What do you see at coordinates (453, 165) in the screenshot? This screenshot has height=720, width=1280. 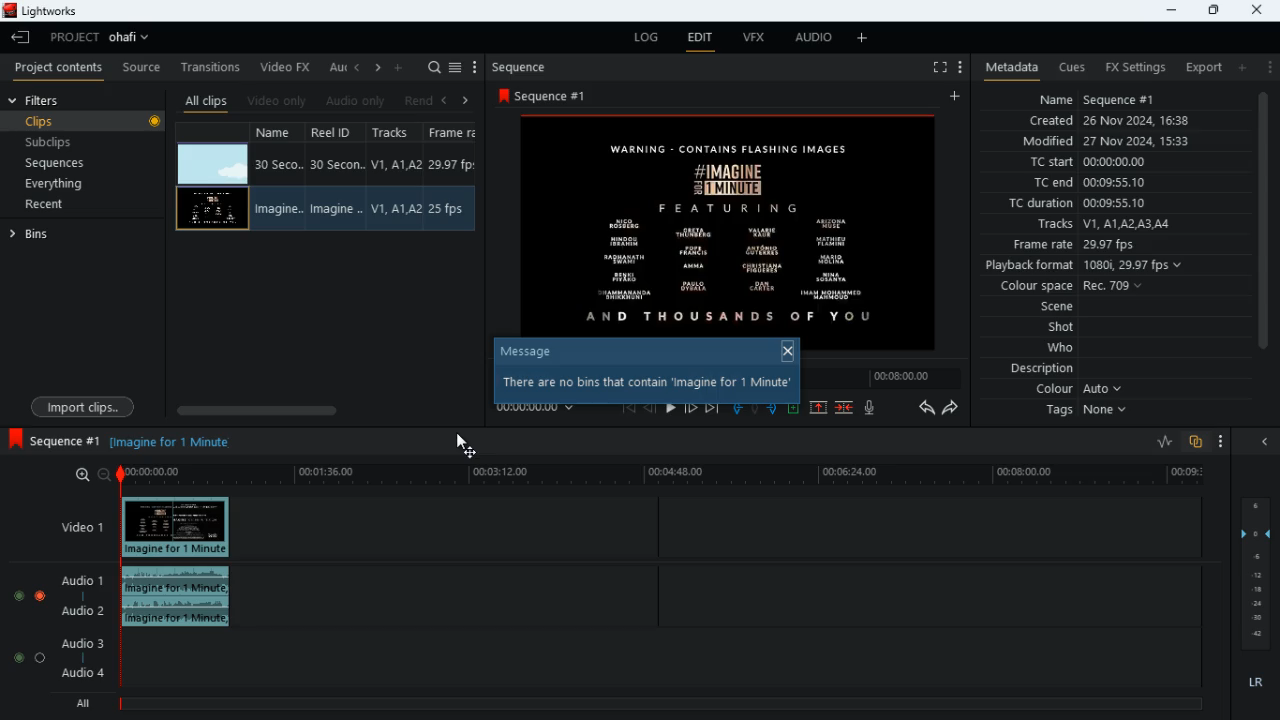 I see `Frame rate` at bounding box center [453, 165].